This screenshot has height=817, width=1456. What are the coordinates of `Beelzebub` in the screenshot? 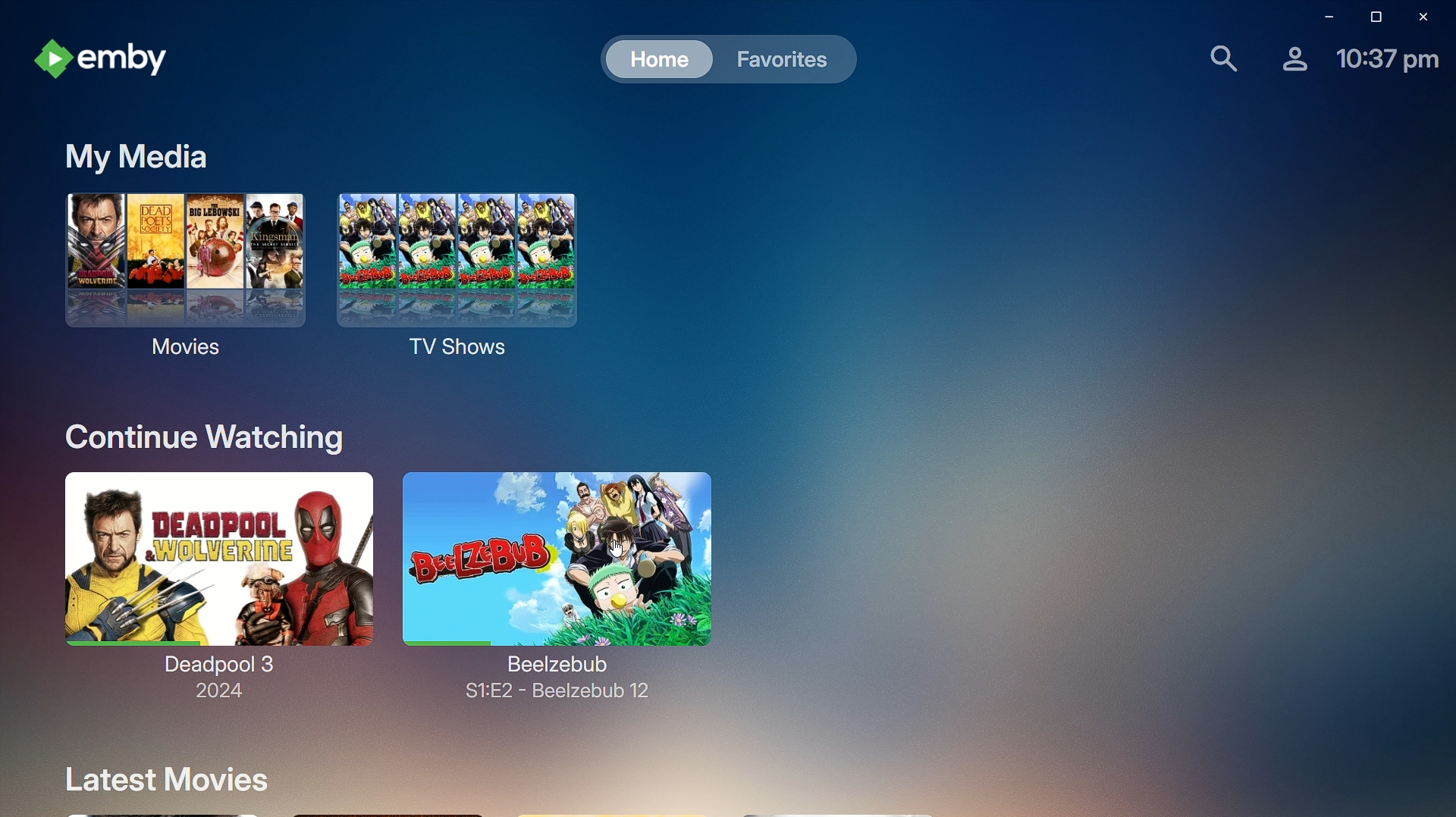 It's located at (562, 568).